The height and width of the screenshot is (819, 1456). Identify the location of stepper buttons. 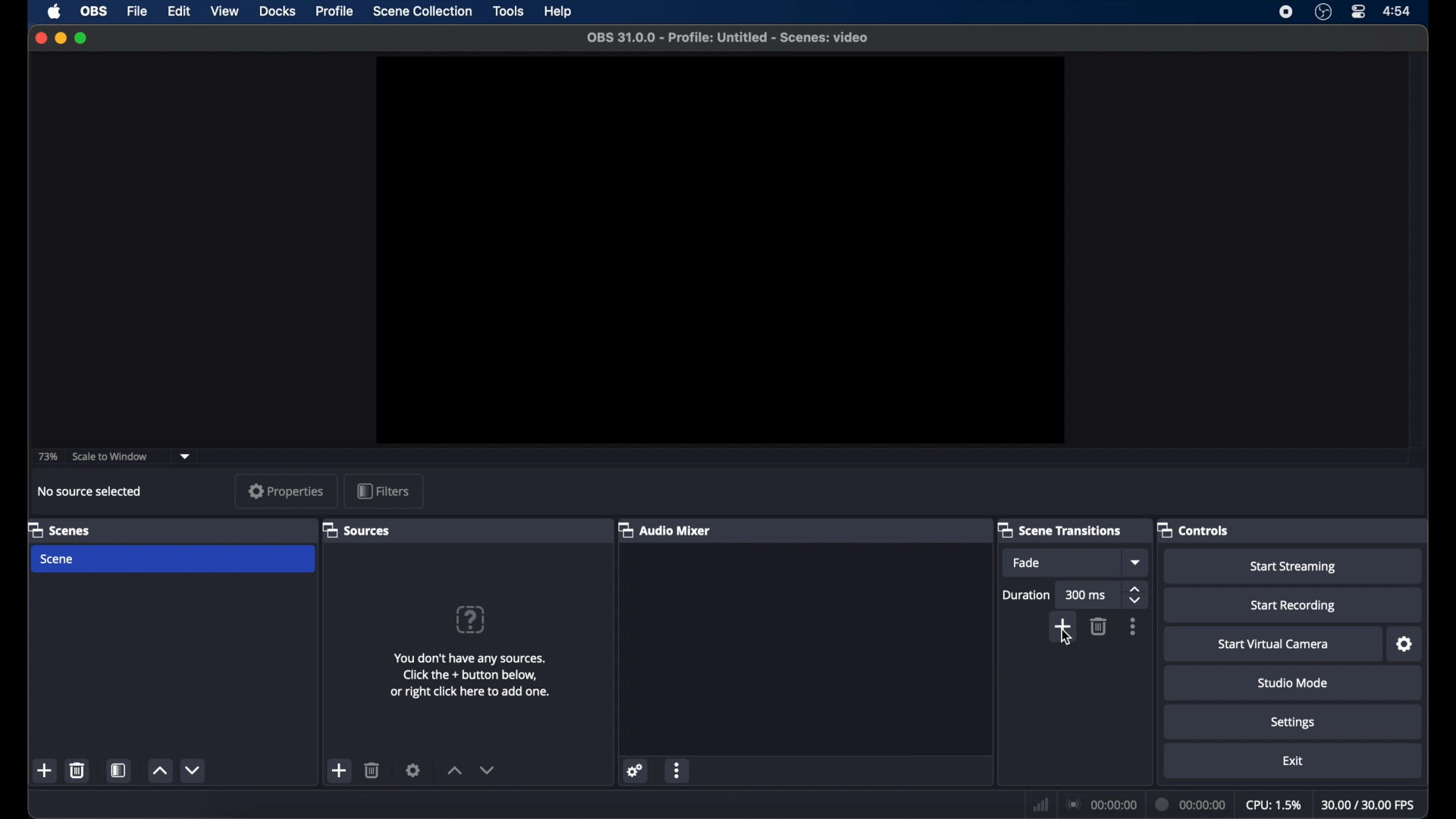
(1136, 595).